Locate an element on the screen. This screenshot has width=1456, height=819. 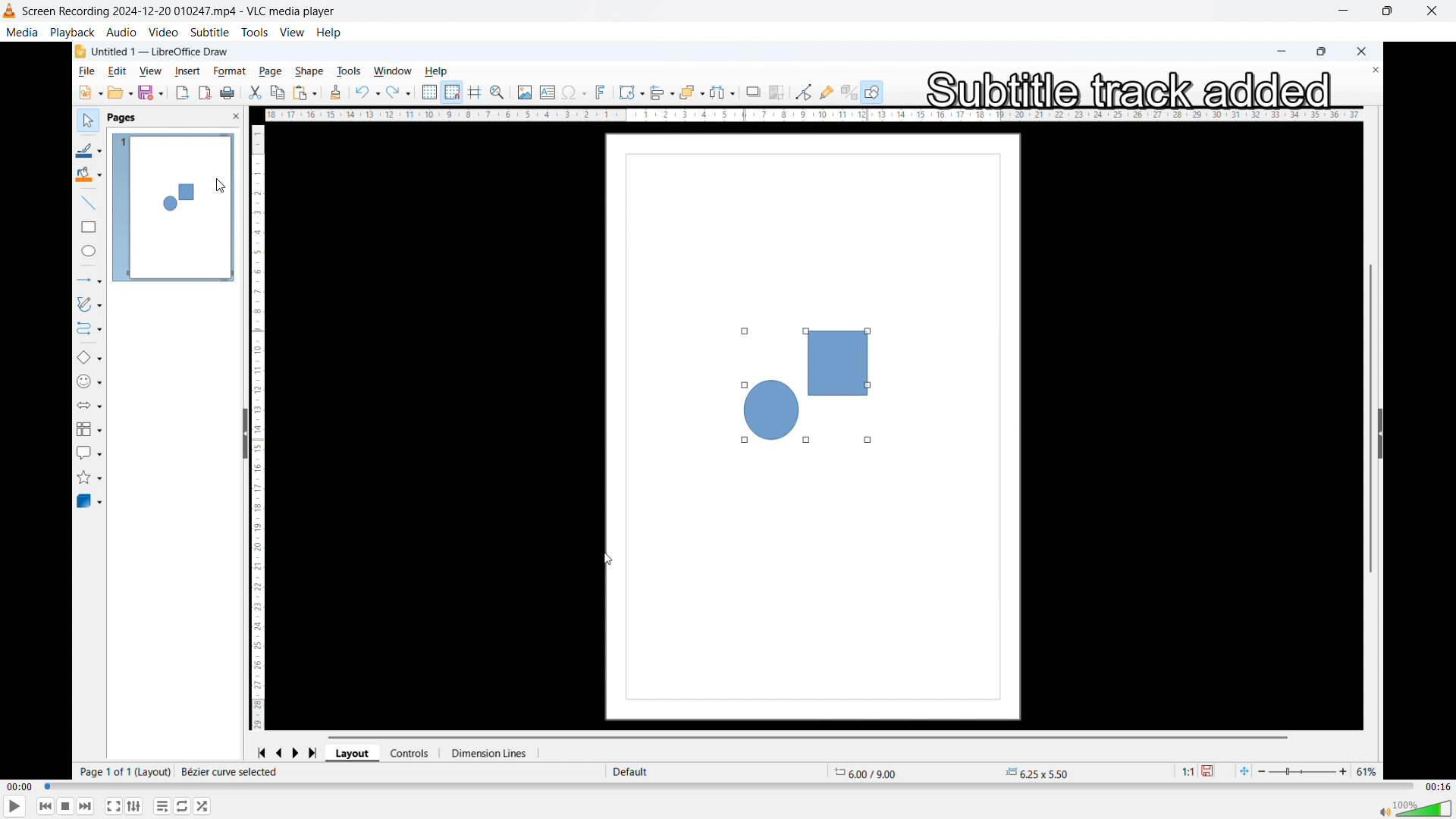
curve and polygons is located at coordinates (93, 306).